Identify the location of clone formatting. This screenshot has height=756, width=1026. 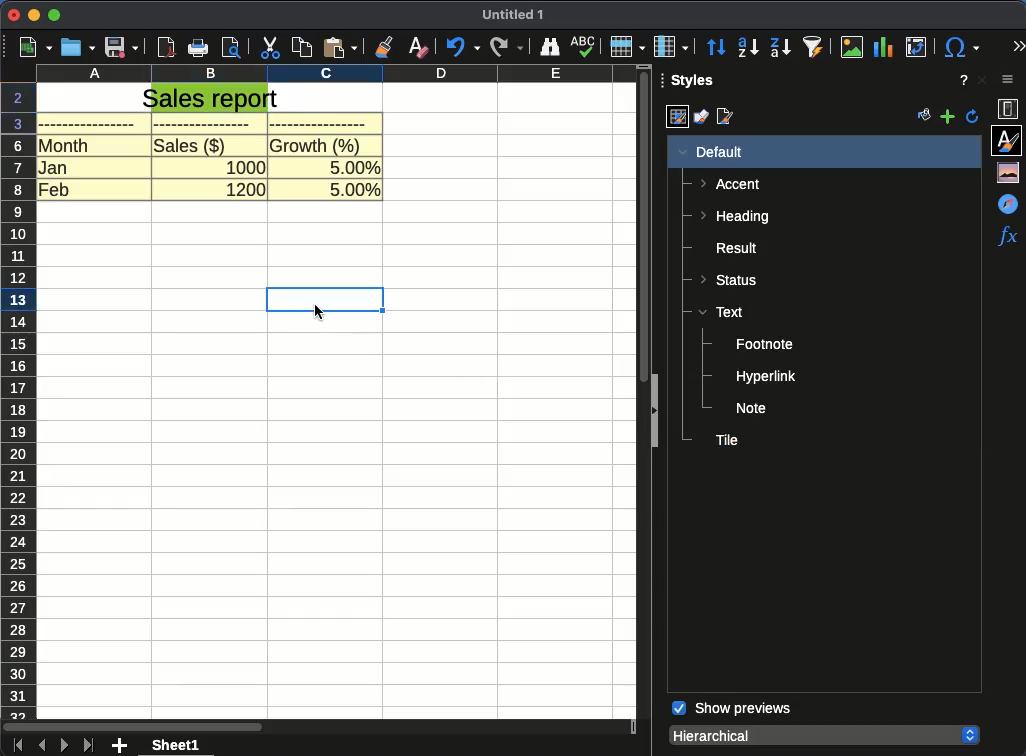
(383, 47).